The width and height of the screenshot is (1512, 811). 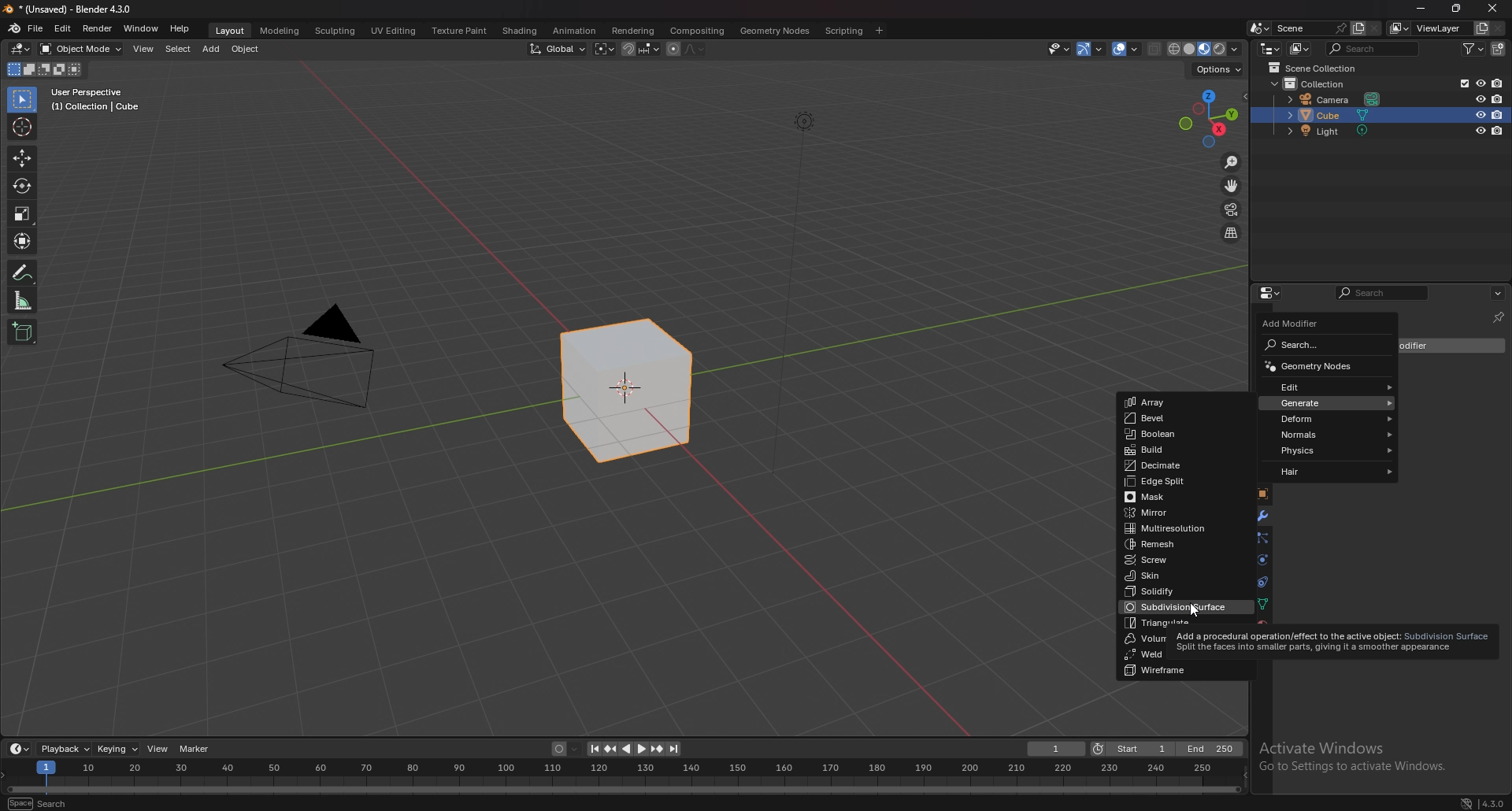 I want to click on tooltip, so click(x=1329, y=643).